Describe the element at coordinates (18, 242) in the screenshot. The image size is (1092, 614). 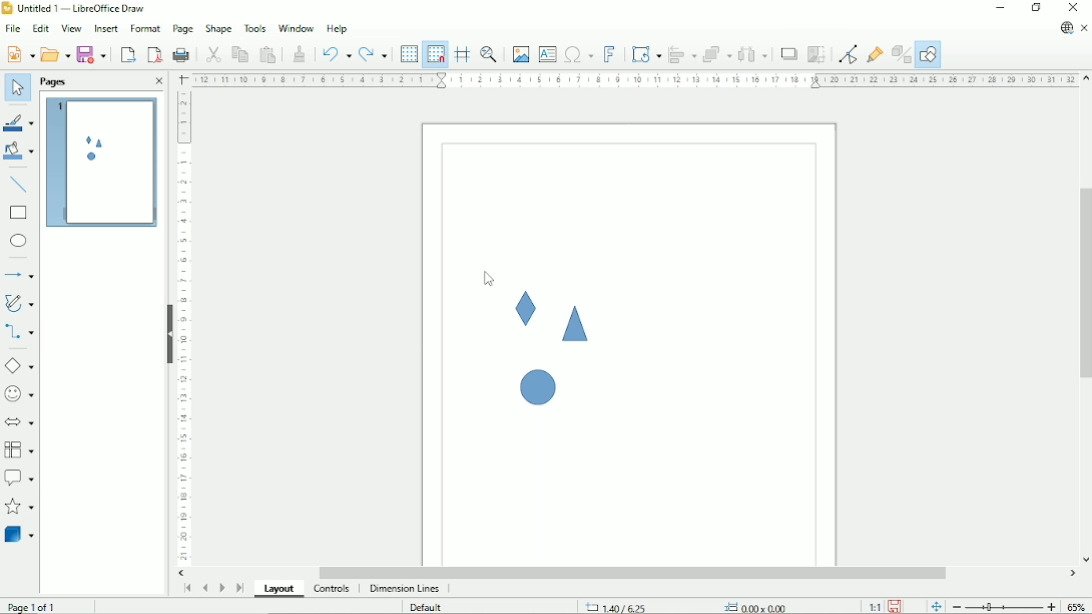
I see `Ellipse` at that location.